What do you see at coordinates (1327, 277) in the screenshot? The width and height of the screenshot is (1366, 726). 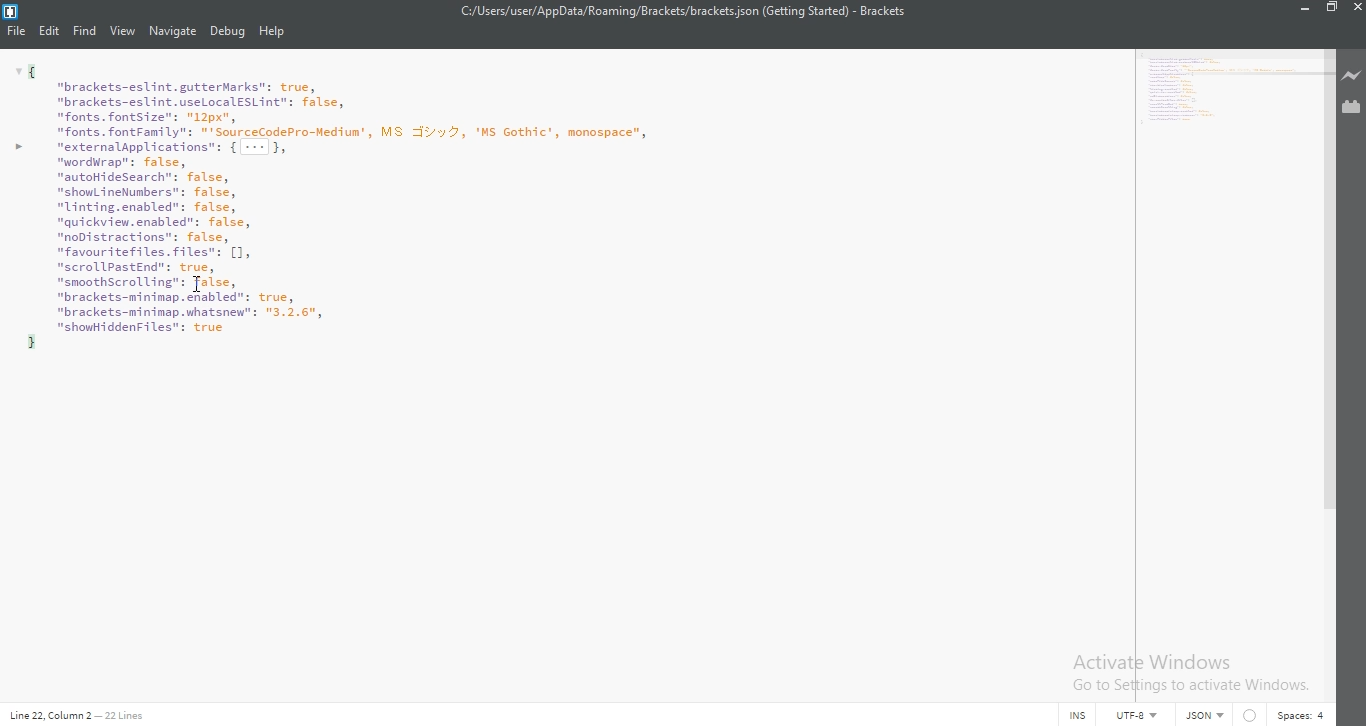 I see `Vertical Scroll bar` at bounding box center [1327, 277].